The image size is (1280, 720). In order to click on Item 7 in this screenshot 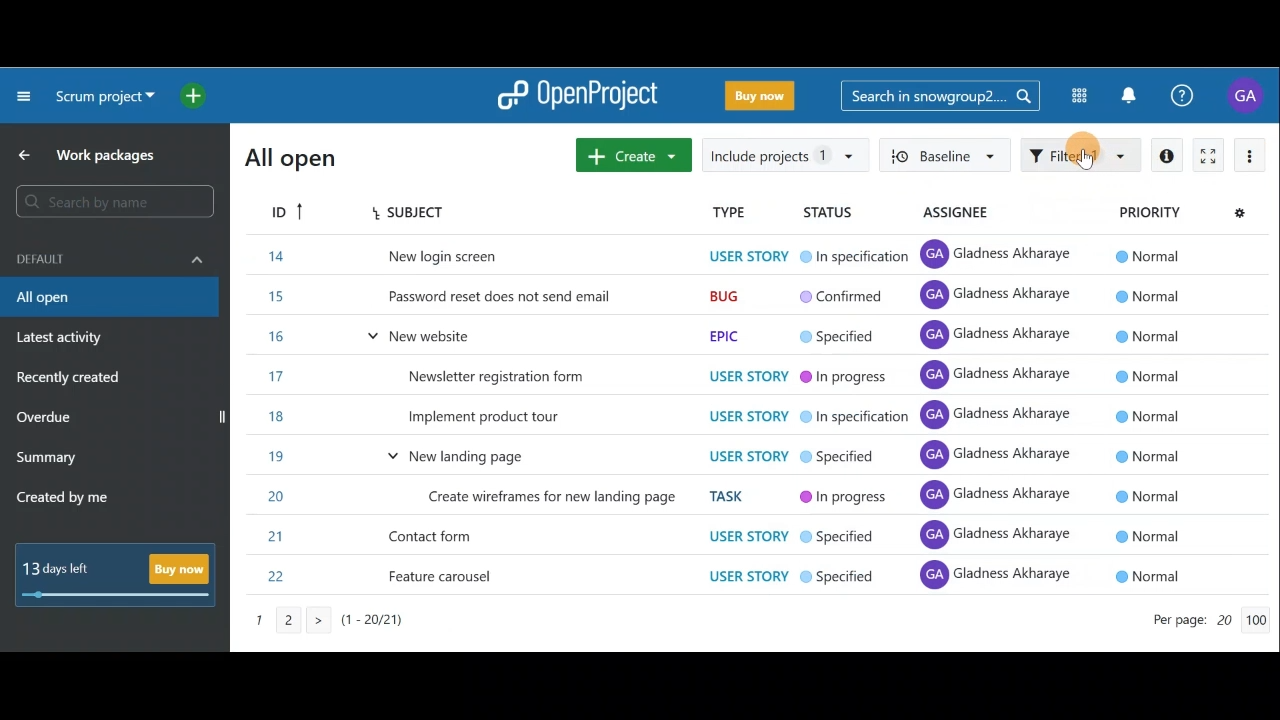, I will do `click(714, 499)`.